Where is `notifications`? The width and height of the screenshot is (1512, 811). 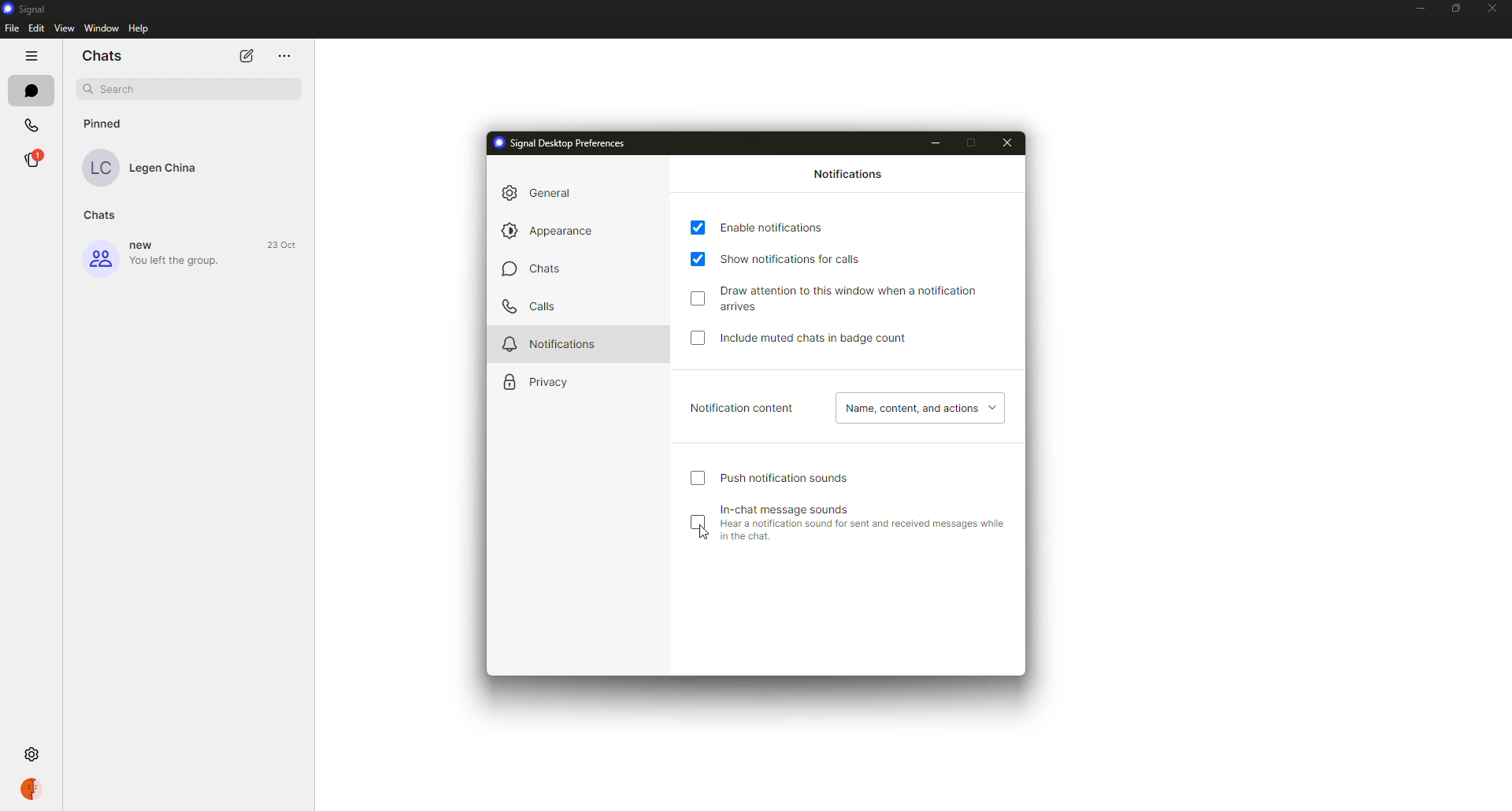
notifications is located at coordinates (847, 175).